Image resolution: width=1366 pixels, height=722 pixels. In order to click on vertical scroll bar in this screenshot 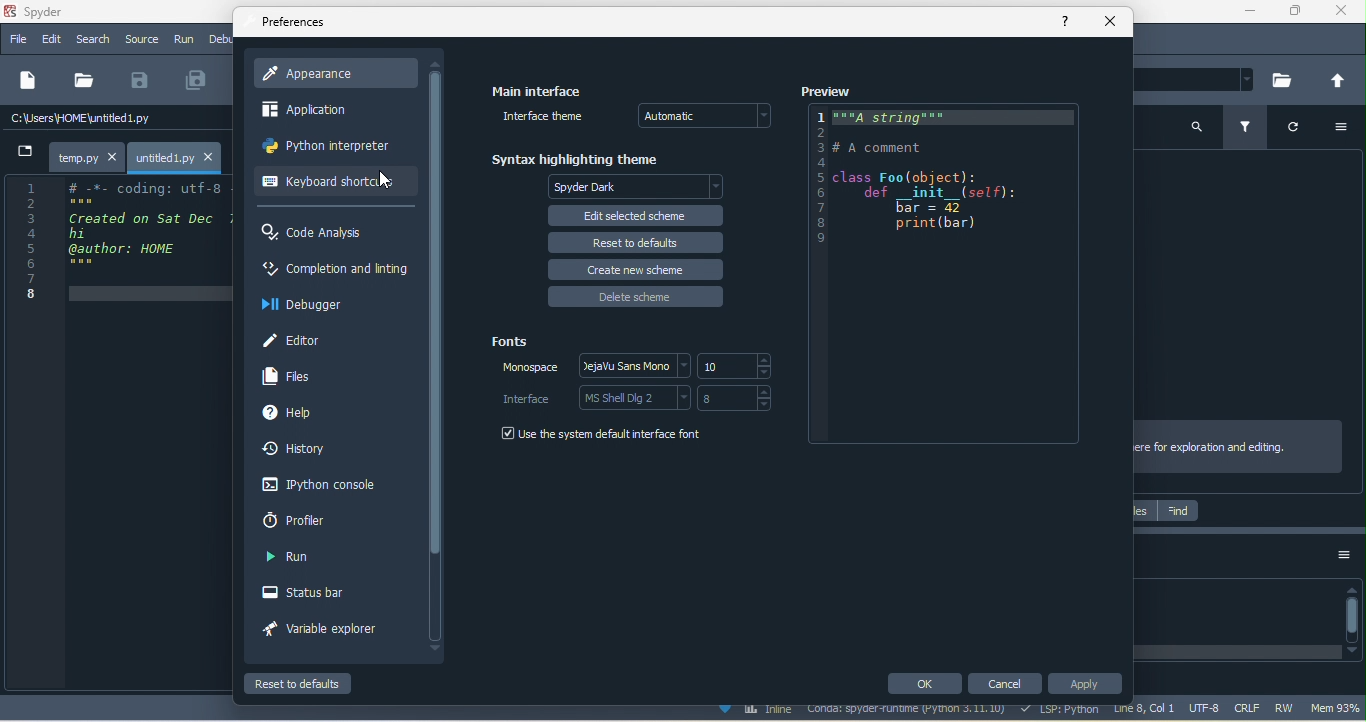, I will do `click(1352, 618)`.